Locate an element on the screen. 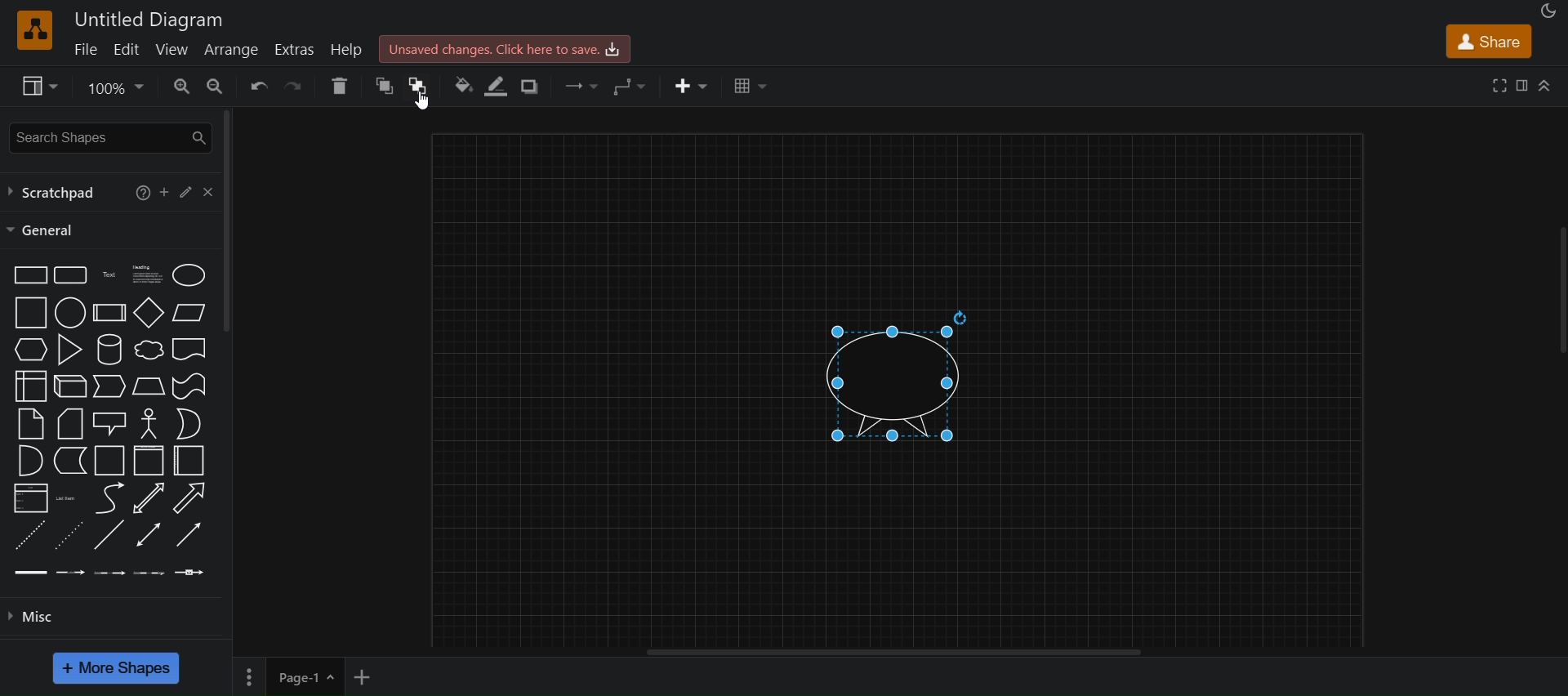  zoom out is located at coordinates (216, 85).